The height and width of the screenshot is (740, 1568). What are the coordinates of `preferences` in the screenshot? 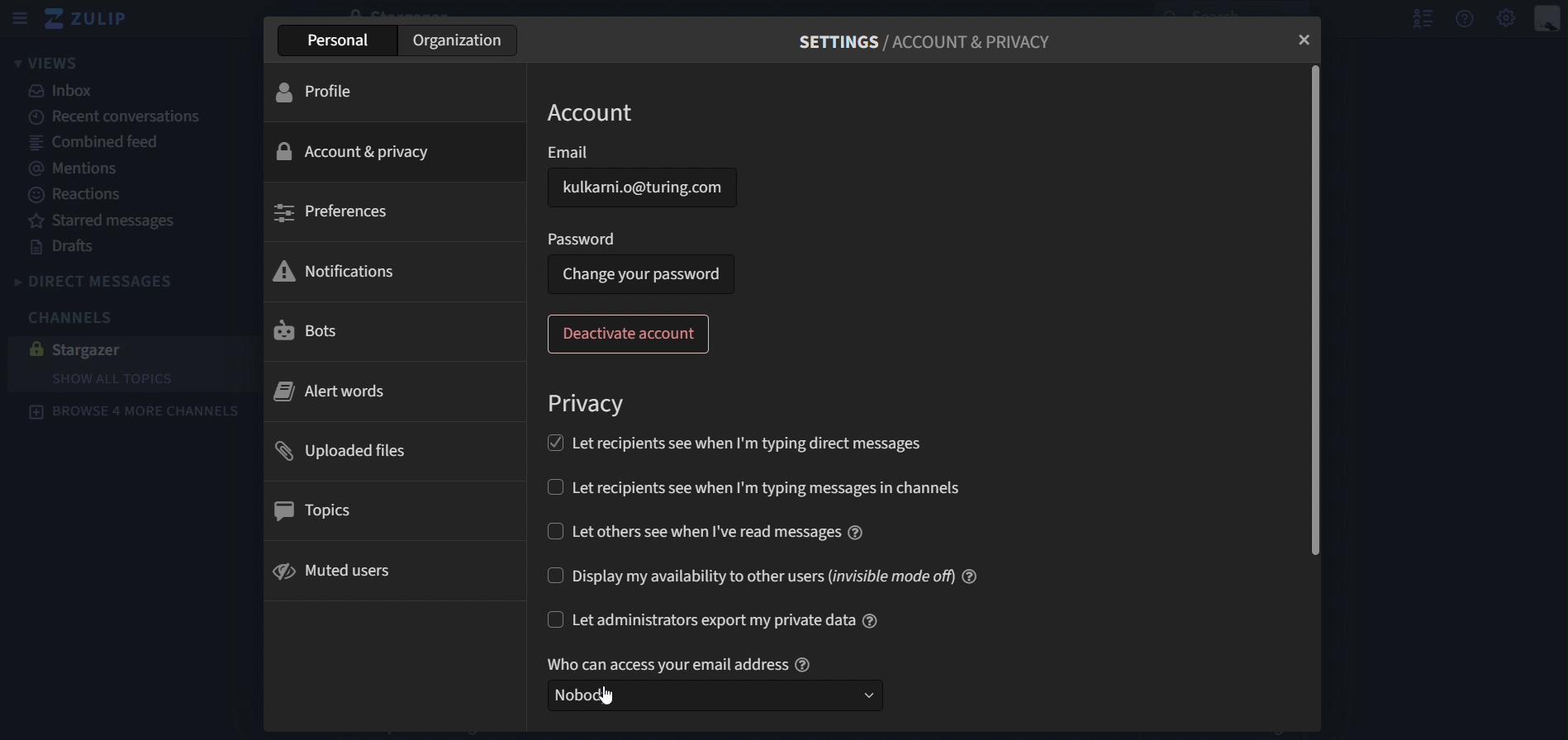 It's located at (336, 213).